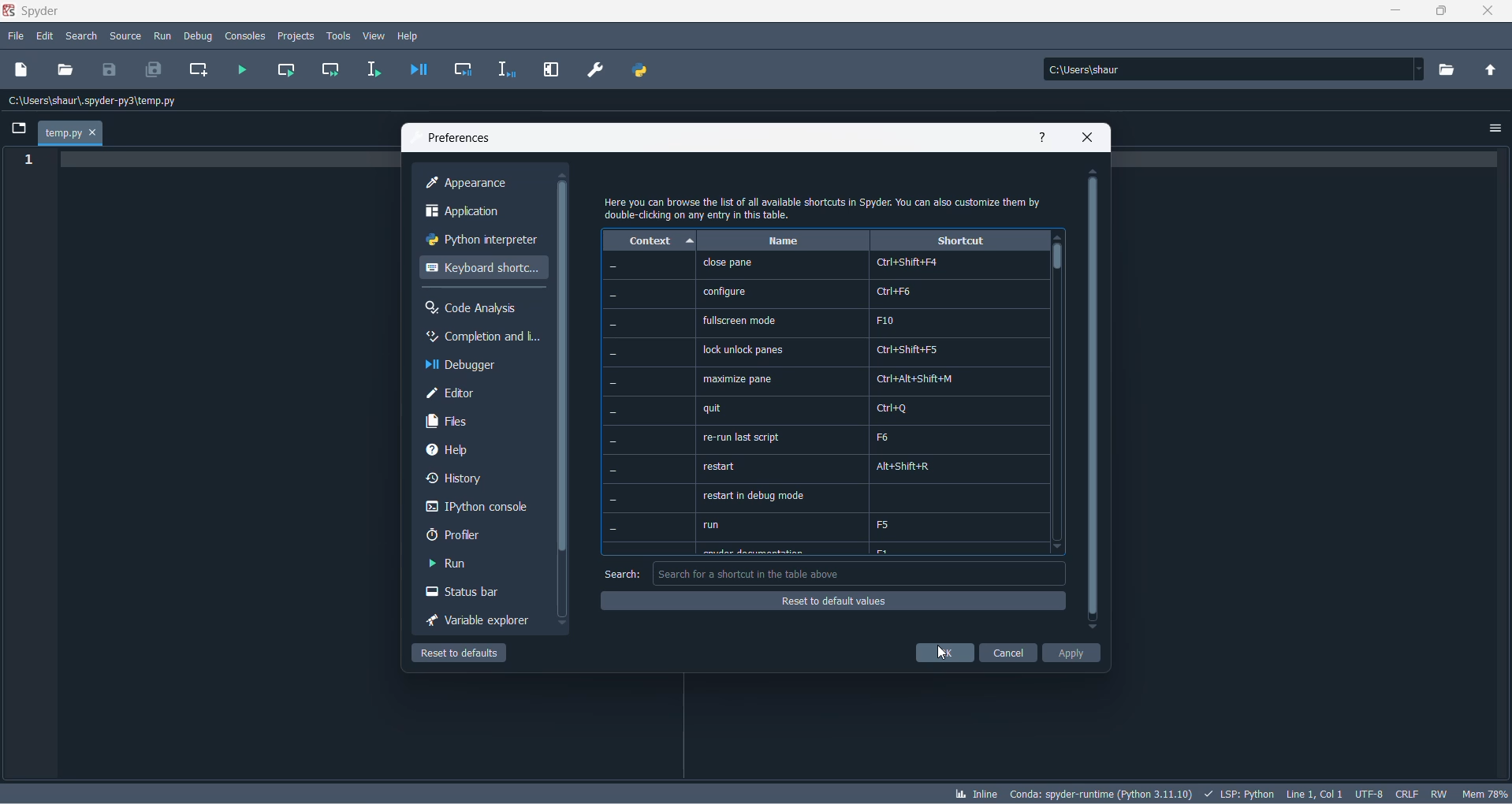 The height and width of the screenshot is (804, 1512). Describe the element at coordinates (912, 351) in the screenshot. I see `Crl+Shift+F5` at that location.